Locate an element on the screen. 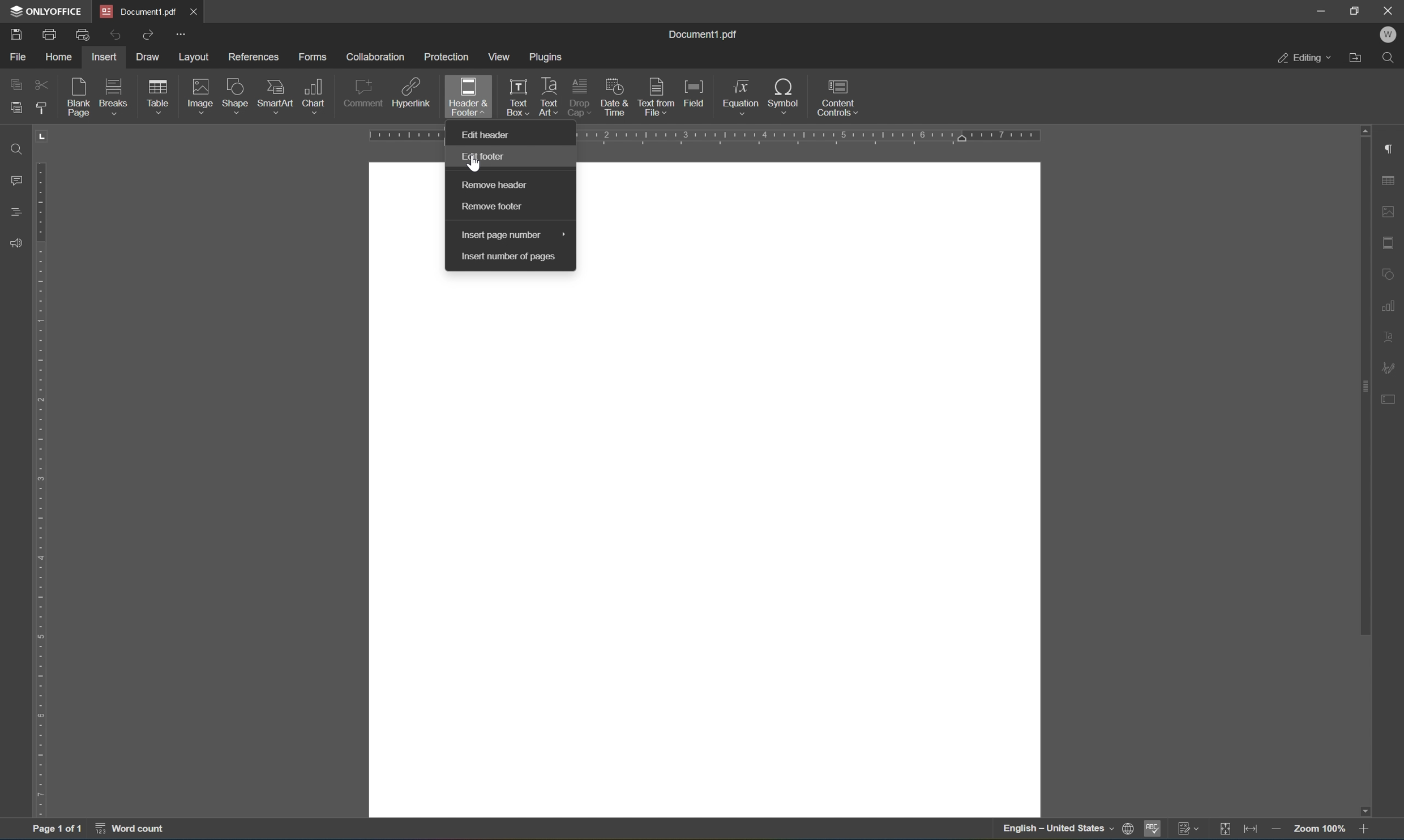 Image resolution: width=1404 pixels, height=840 pixels. image is located at coordinates (199, 96).